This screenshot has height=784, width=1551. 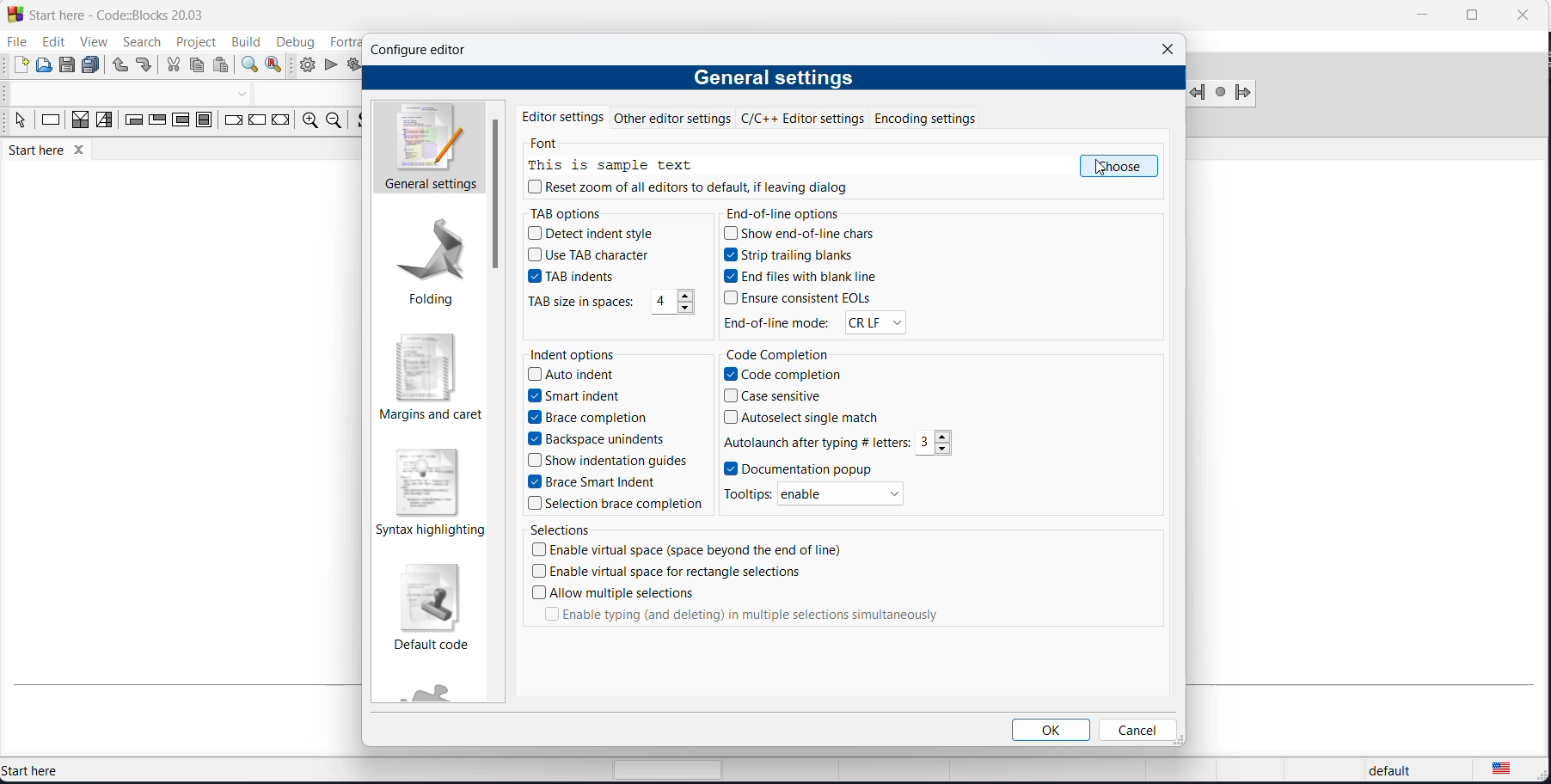 What do you see at coordinates (1168, 49) in the screenshot?
I see `close` at bounding box center [1168, 49].